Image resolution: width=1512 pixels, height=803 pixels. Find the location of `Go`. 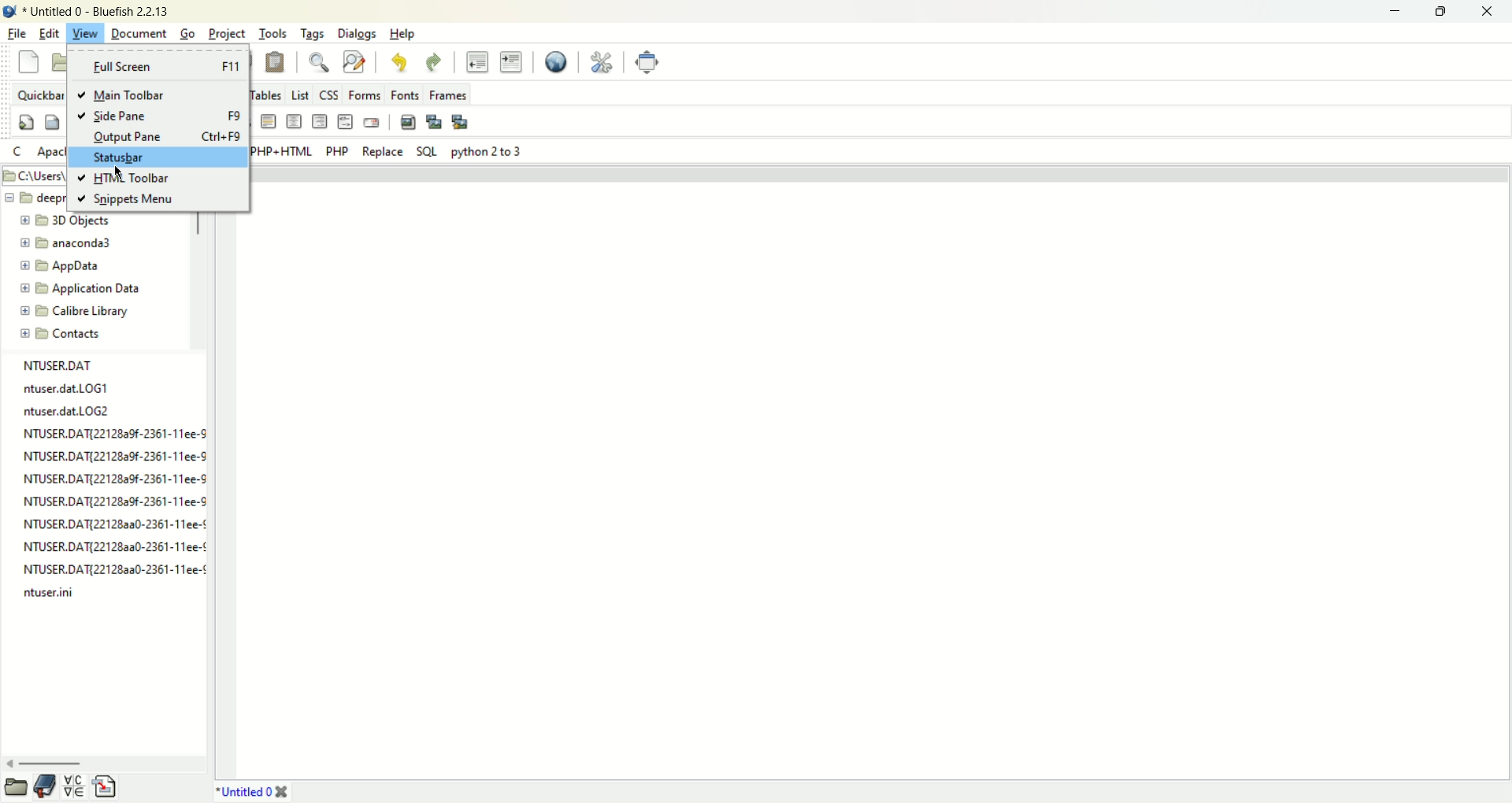

Go is located at coordinates (191, 35).